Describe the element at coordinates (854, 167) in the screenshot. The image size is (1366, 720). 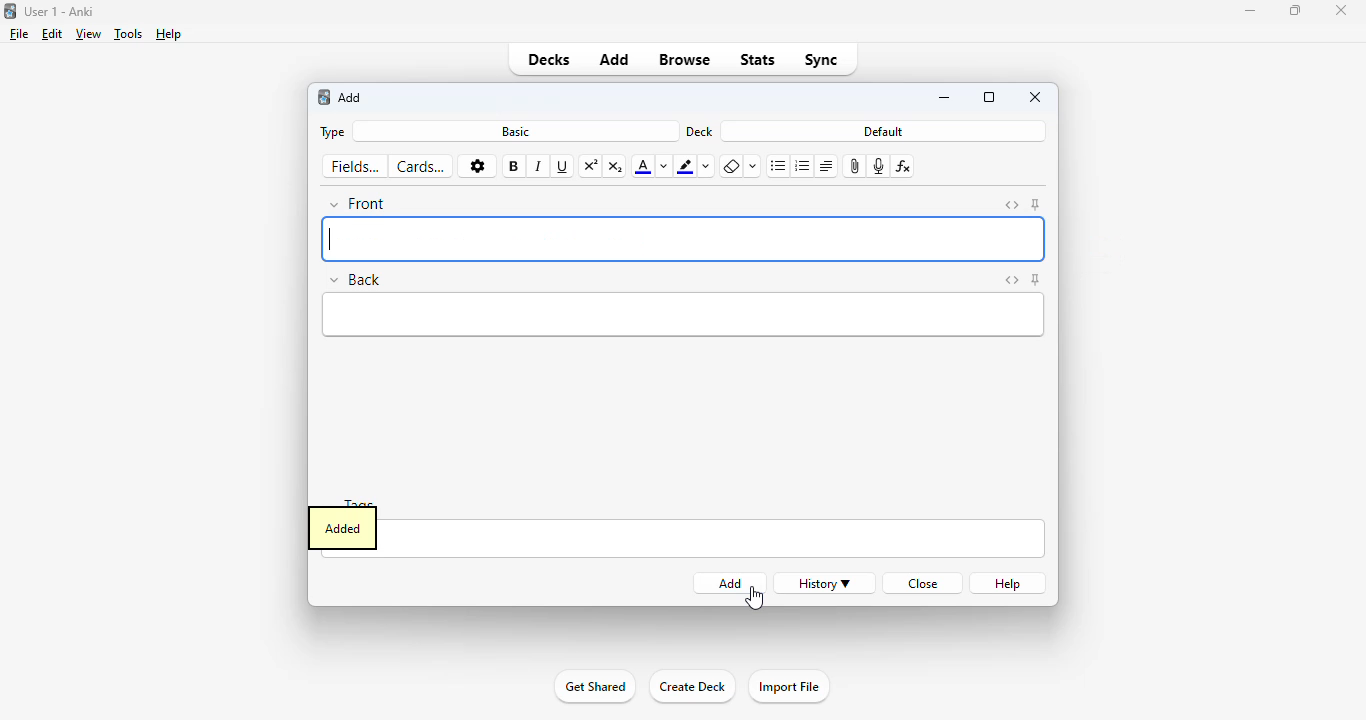
I see `attach pictures/audio/video` at that location.